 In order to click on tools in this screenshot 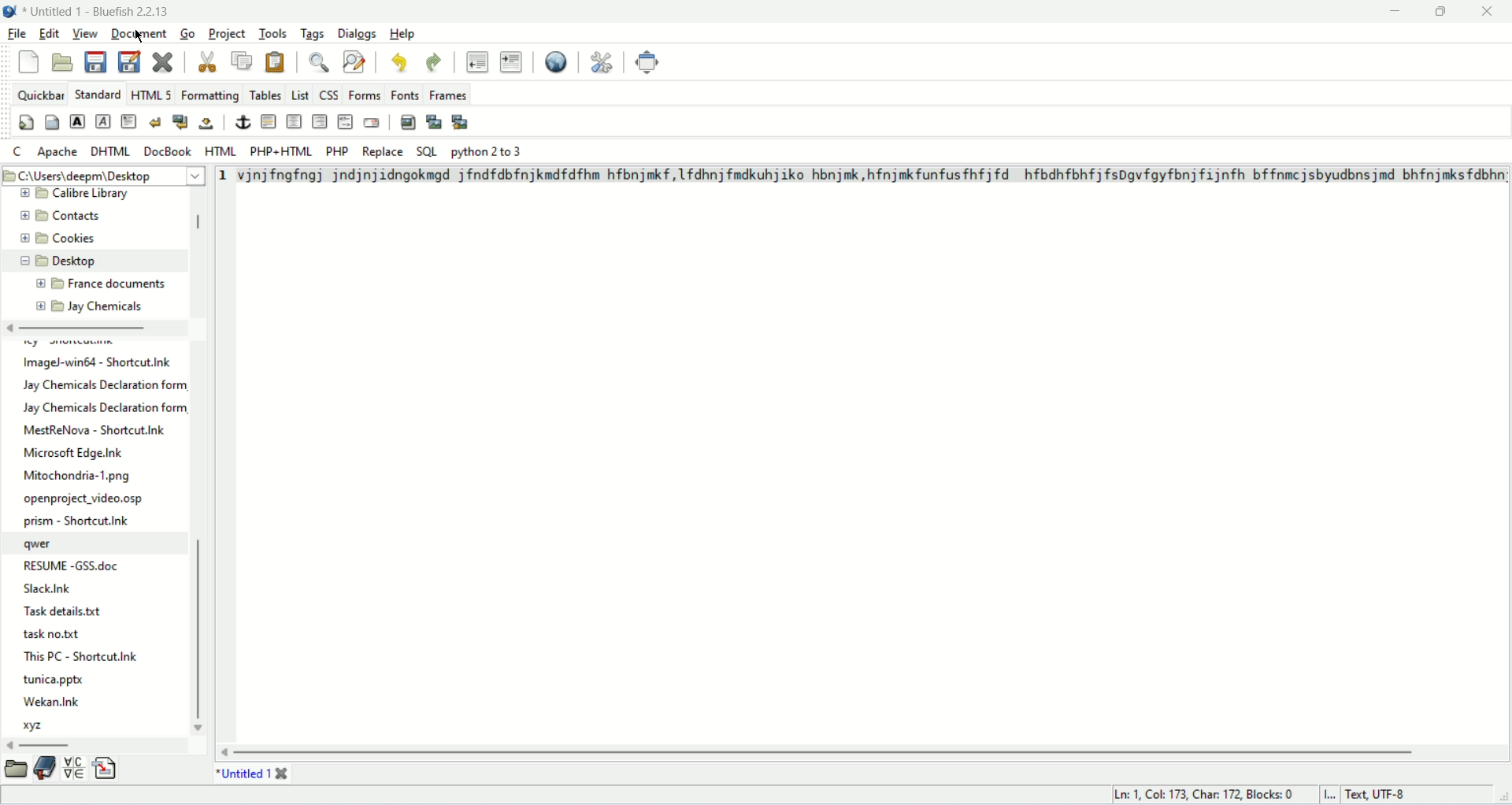, I will do `click(273, 33)`.